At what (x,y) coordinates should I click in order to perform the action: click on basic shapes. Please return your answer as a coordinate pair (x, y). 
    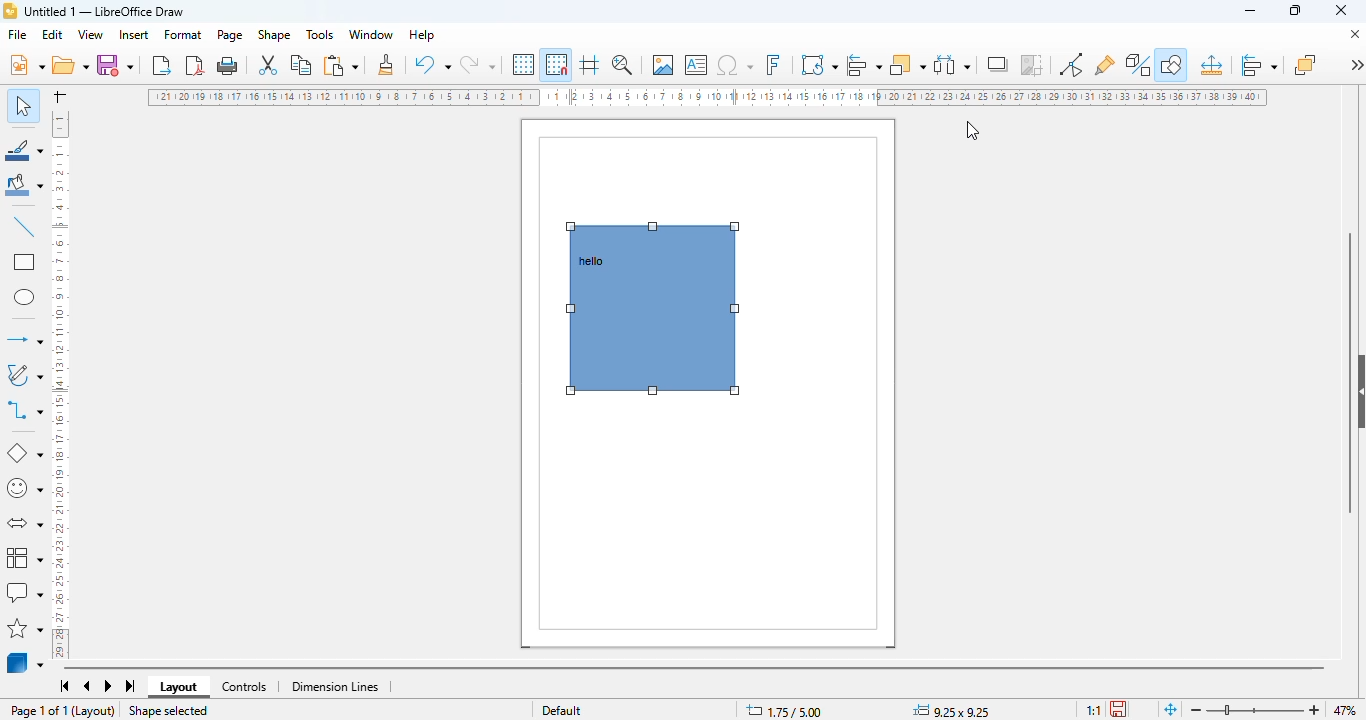
    Looking at the image, I should click on (23, 453).